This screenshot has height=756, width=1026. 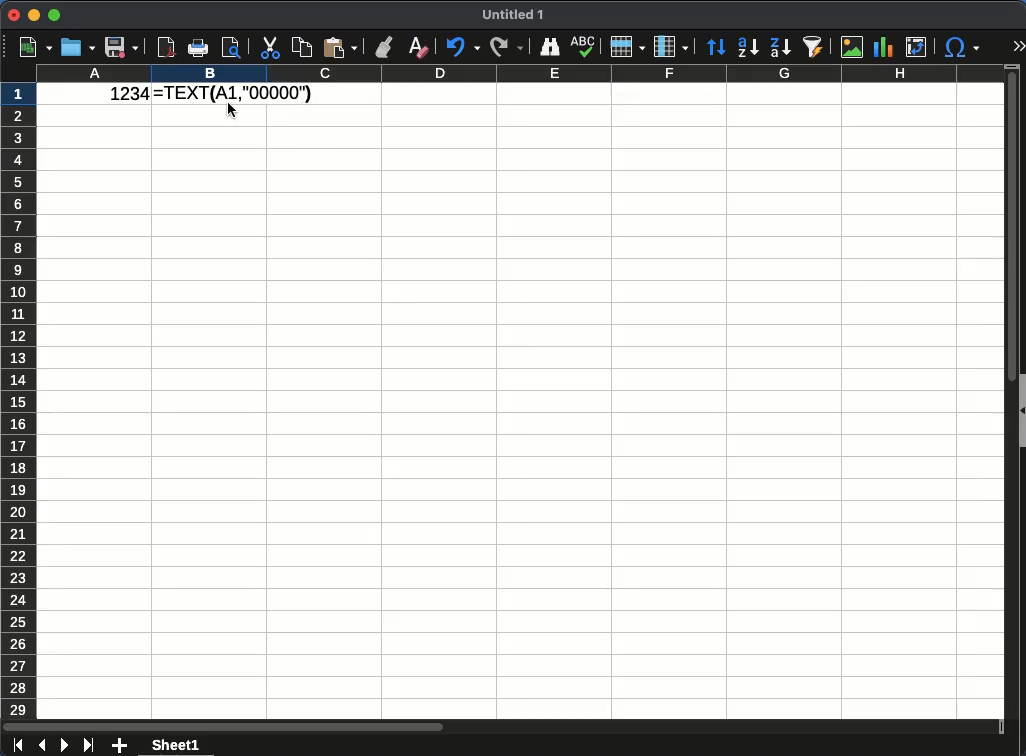 I want to click on clear formatting, so click(x=417, y=45).